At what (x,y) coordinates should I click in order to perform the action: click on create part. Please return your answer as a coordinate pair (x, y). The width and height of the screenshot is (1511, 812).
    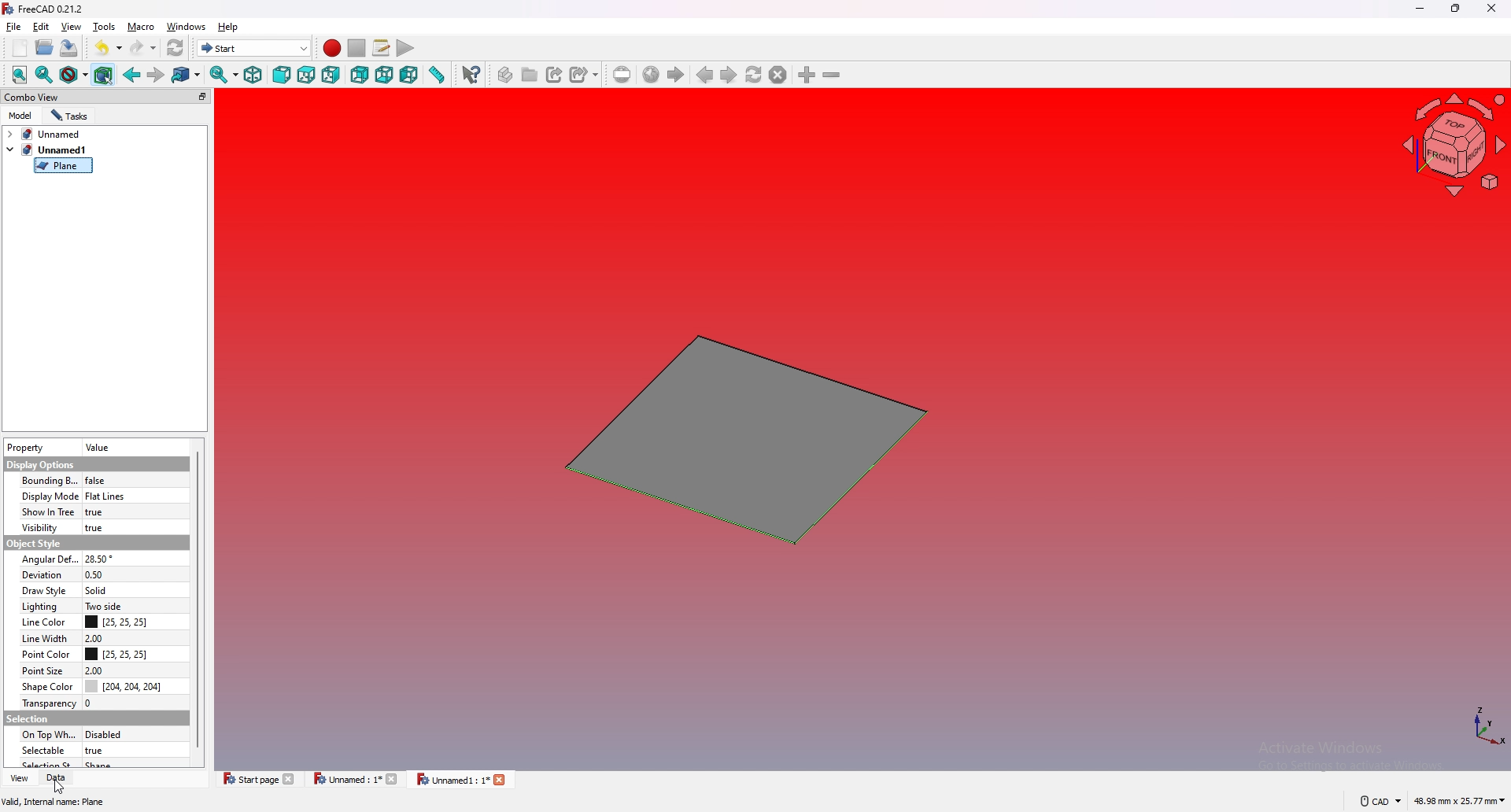
    Looking at the image, I should click on (507, 75).